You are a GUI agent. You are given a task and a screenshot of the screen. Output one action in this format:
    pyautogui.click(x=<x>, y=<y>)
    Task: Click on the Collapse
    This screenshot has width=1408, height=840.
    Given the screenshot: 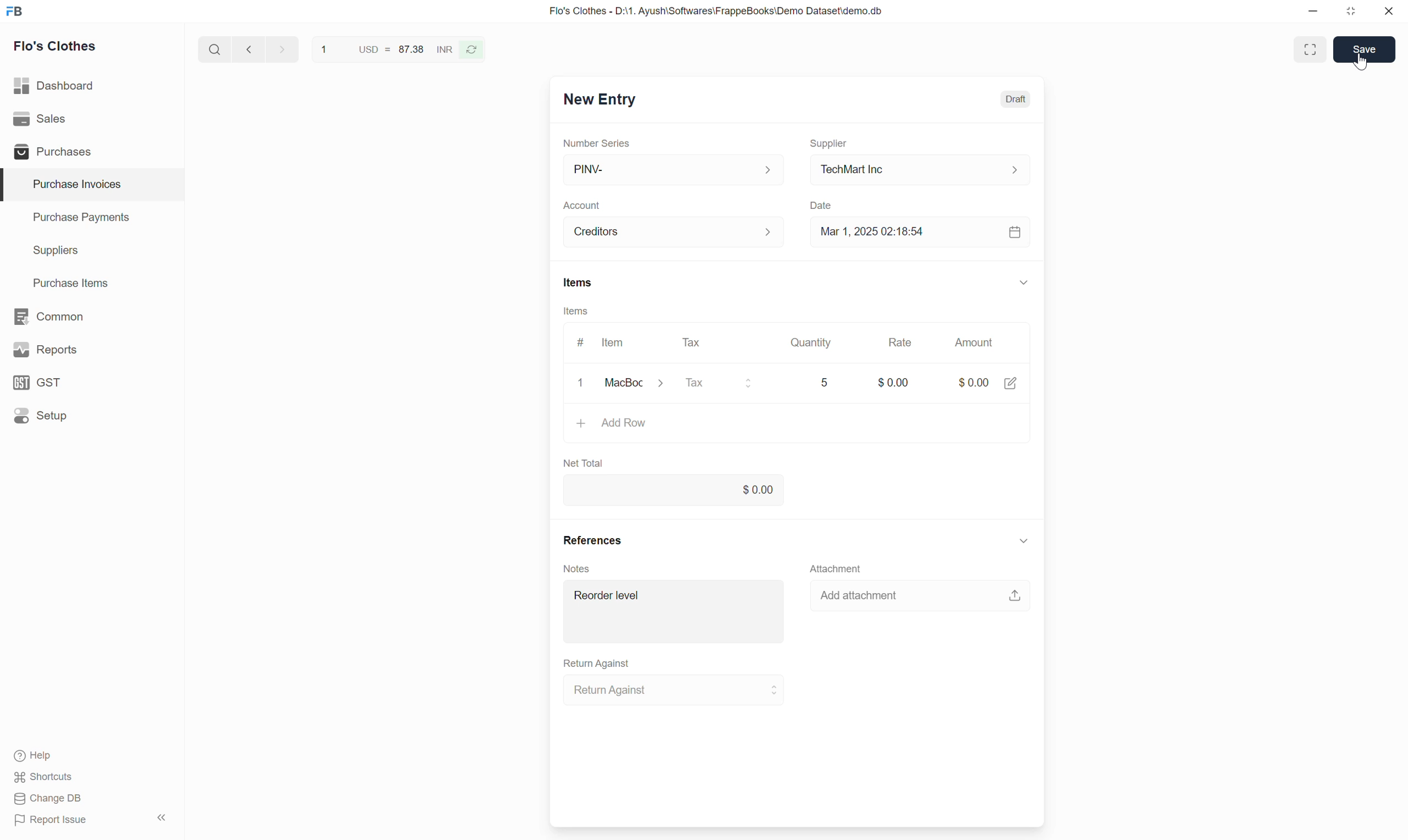 What is the action you would take?
    pyautogui.click(x=161, y=817)
    